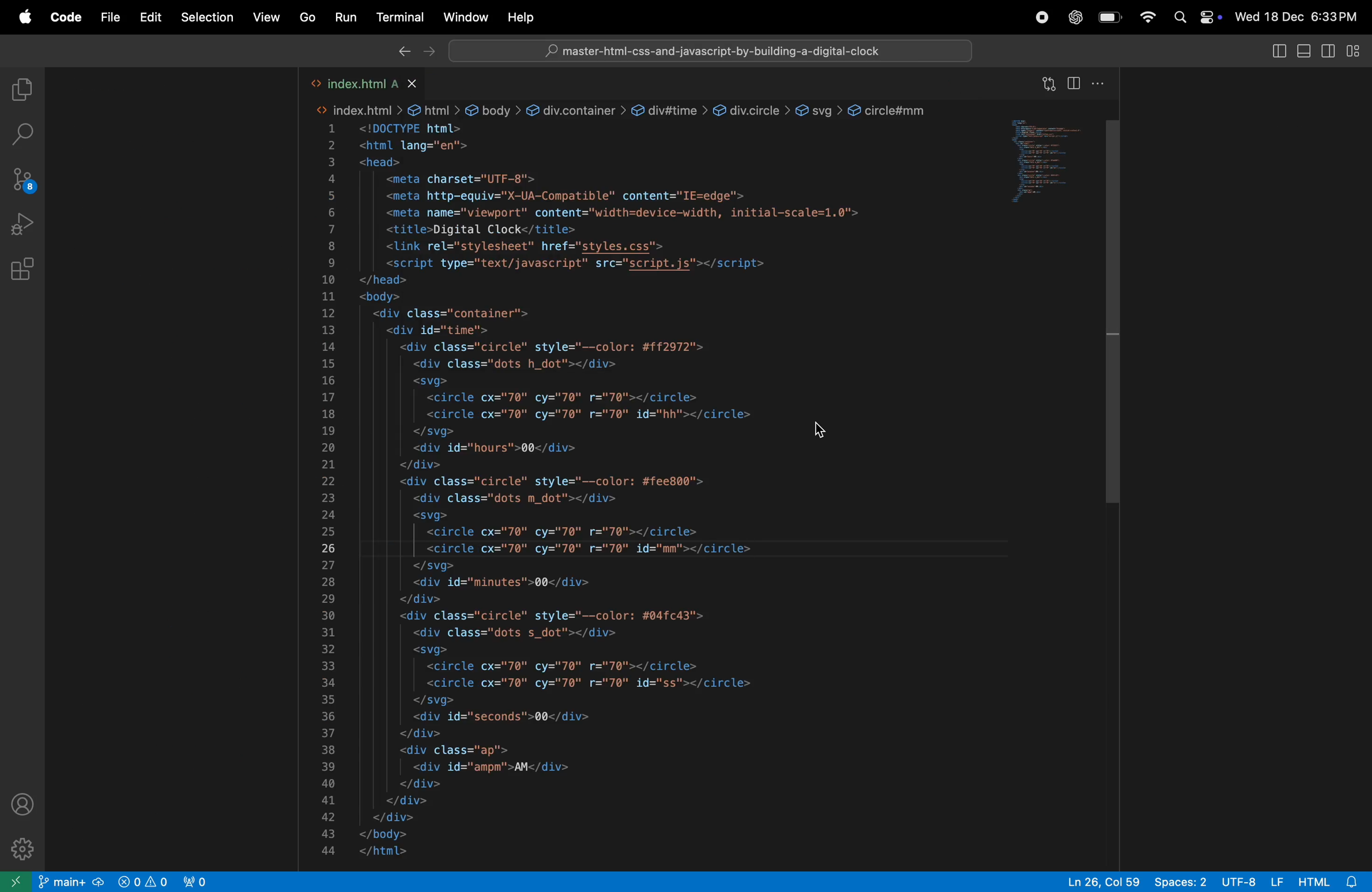 The width and height of the screenshot is (1372, 892). Describe the element at coordinates (402, 53) in the screenshot. I see `back ward` at that location.